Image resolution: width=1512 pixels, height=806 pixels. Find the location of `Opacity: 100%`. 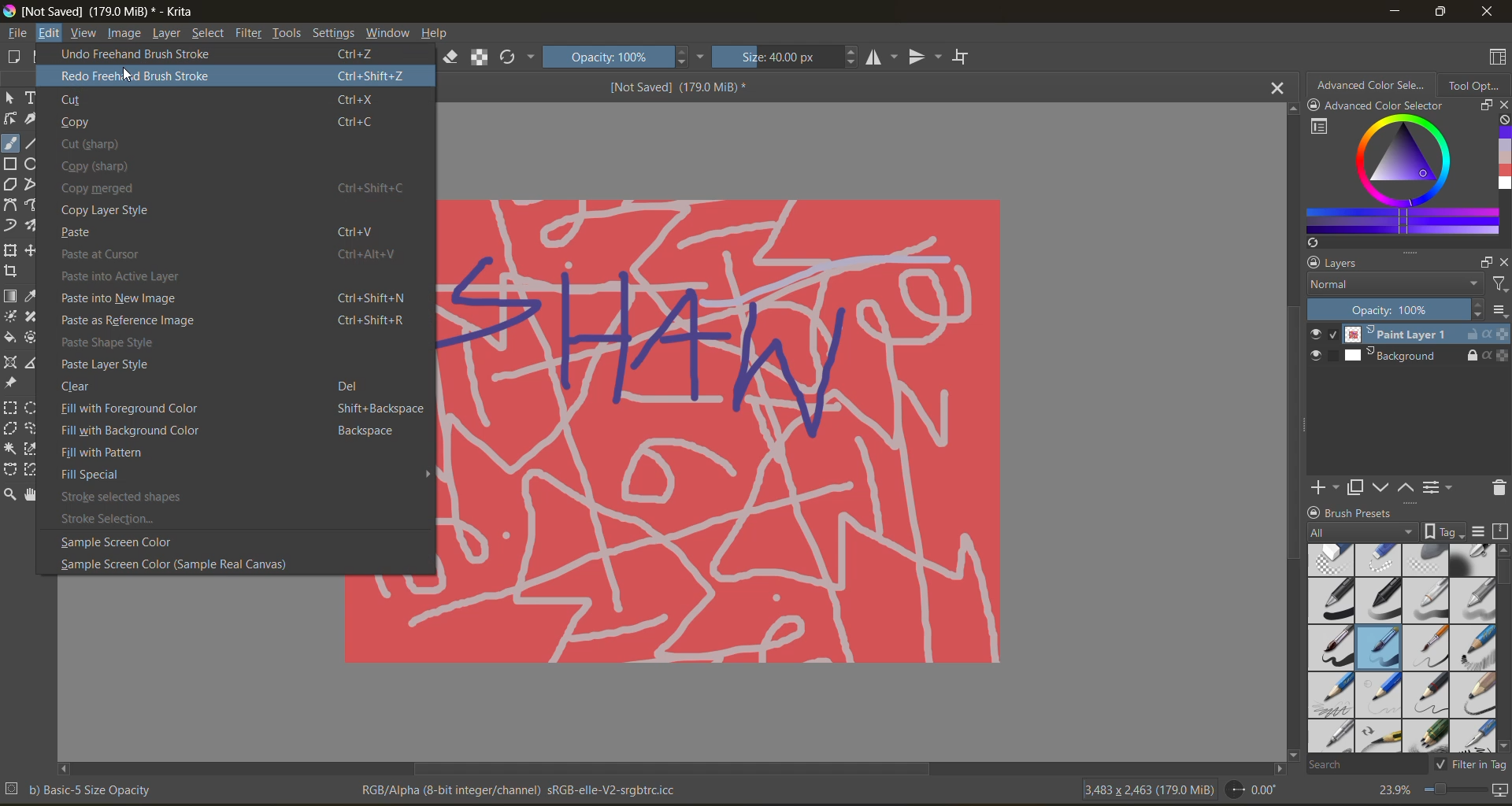

Opacity: 100% is located at coordinates (1394, 310).